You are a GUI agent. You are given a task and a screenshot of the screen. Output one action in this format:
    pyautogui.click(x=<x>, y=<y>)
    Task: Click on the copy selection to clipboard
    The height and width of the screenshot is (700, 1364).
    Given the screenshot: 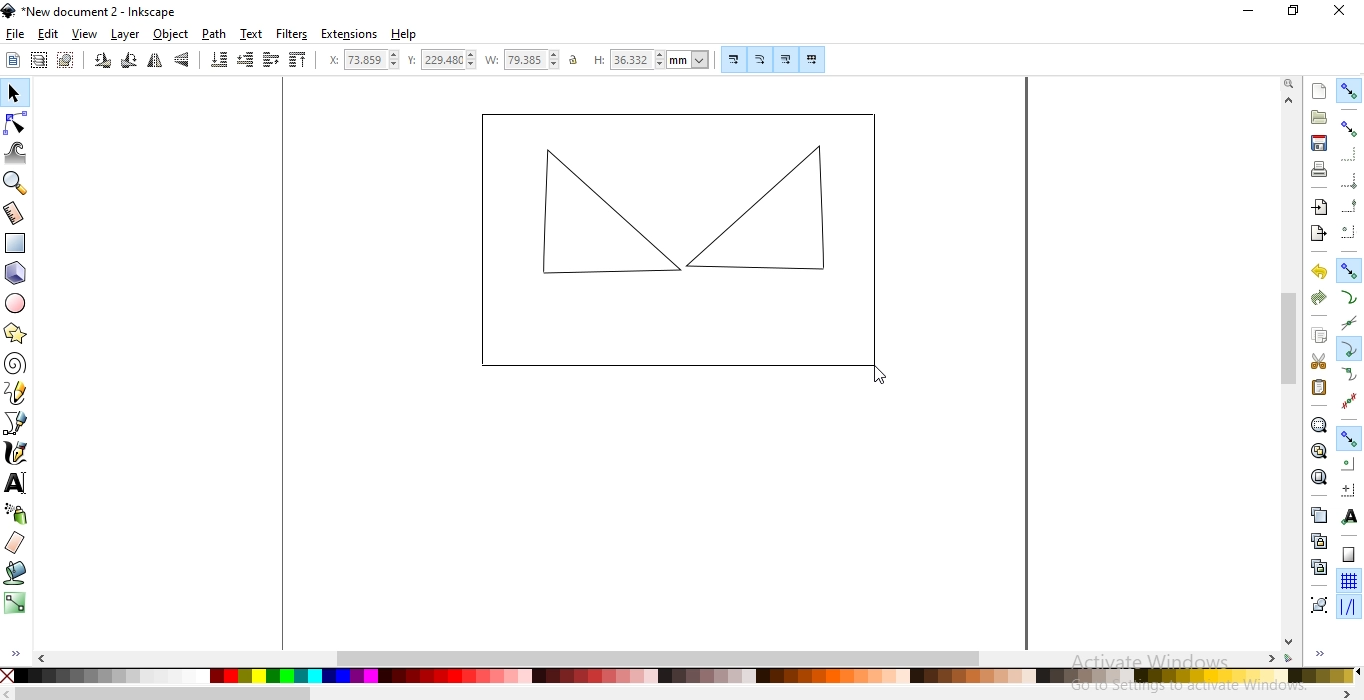 What is the action you would take?
    pyautogui.click(x=1320, y=337)
    